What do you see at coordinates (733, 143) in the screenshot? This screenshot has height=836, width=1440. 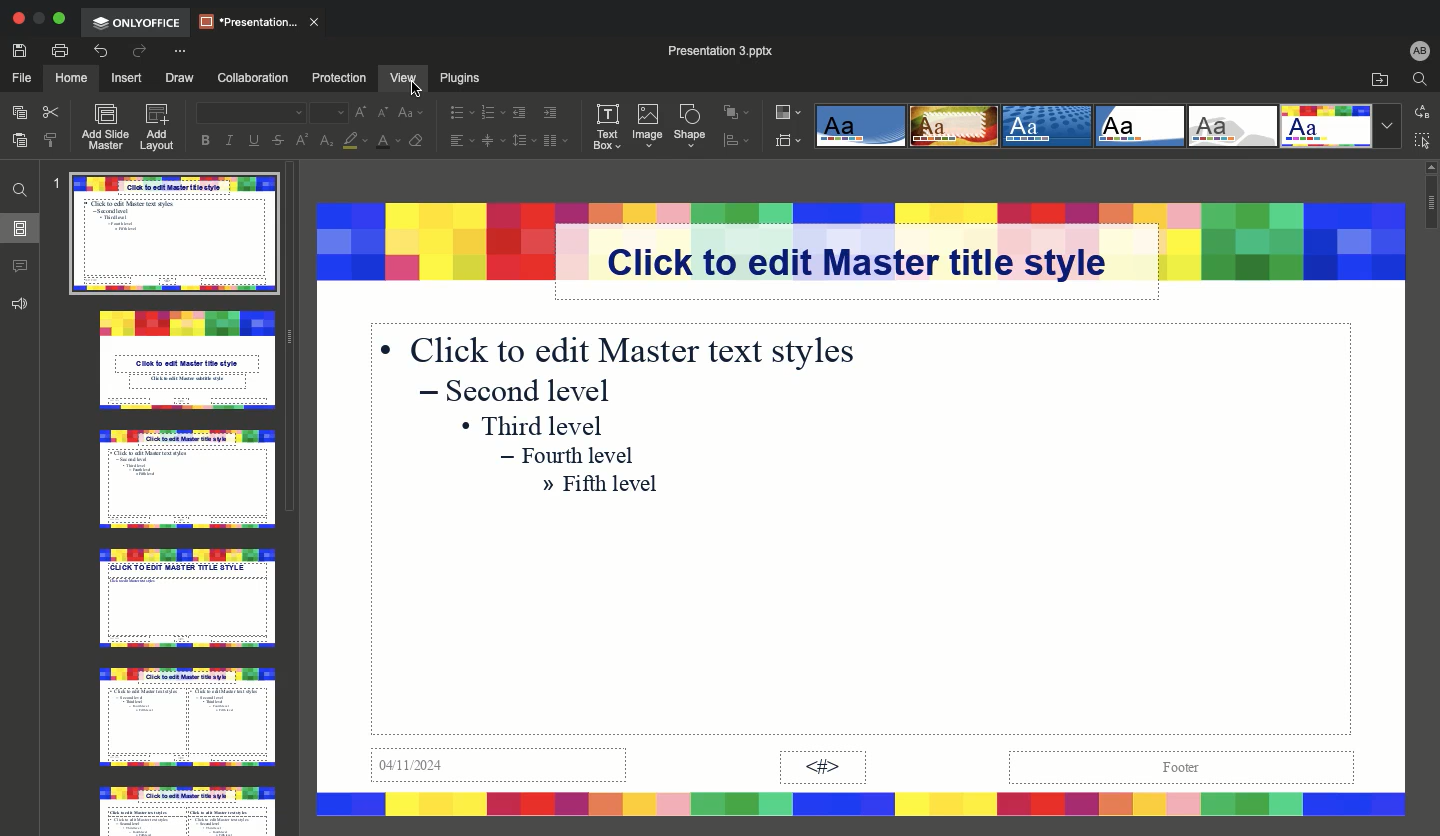 I see `Align shape` at bounding box center [733, 143].